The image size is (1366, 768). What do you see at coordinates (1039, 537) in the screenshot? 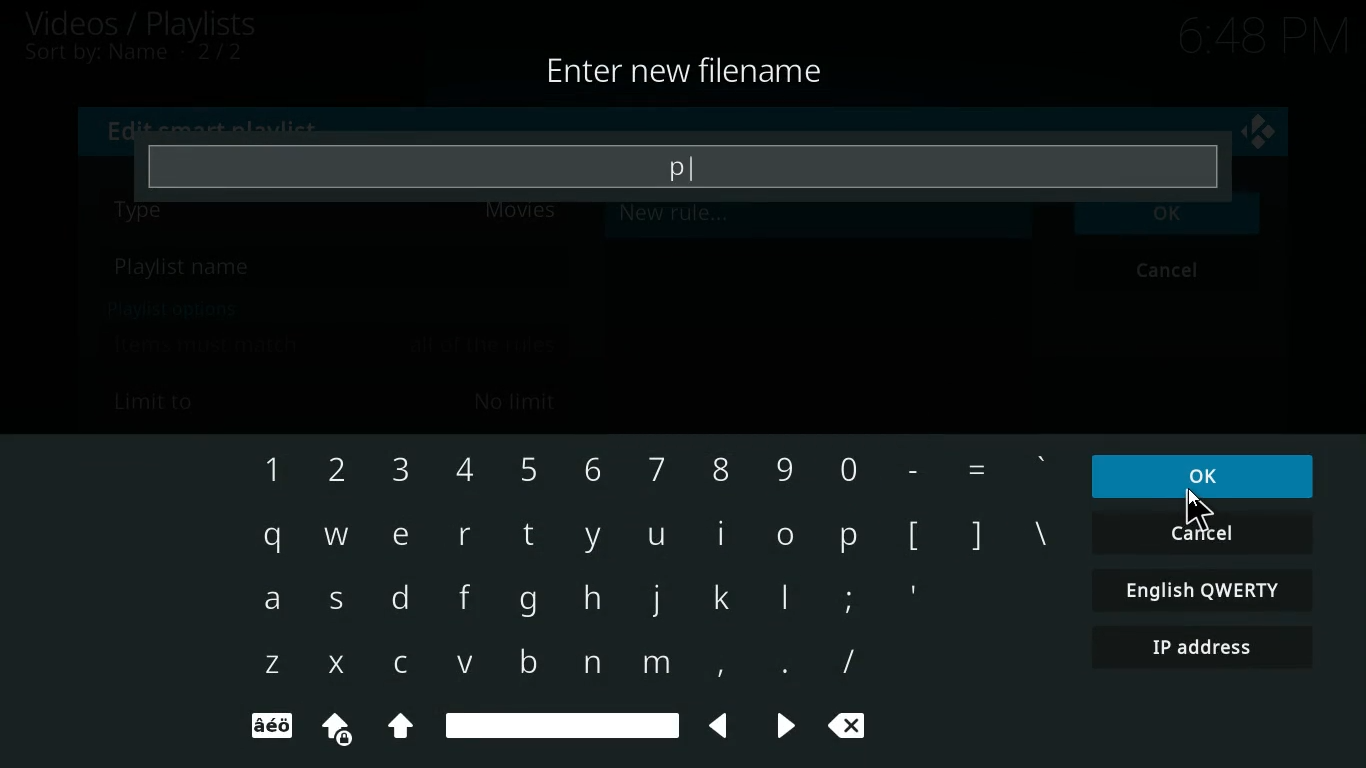
I see `\` at bounding box center [1039, 537].